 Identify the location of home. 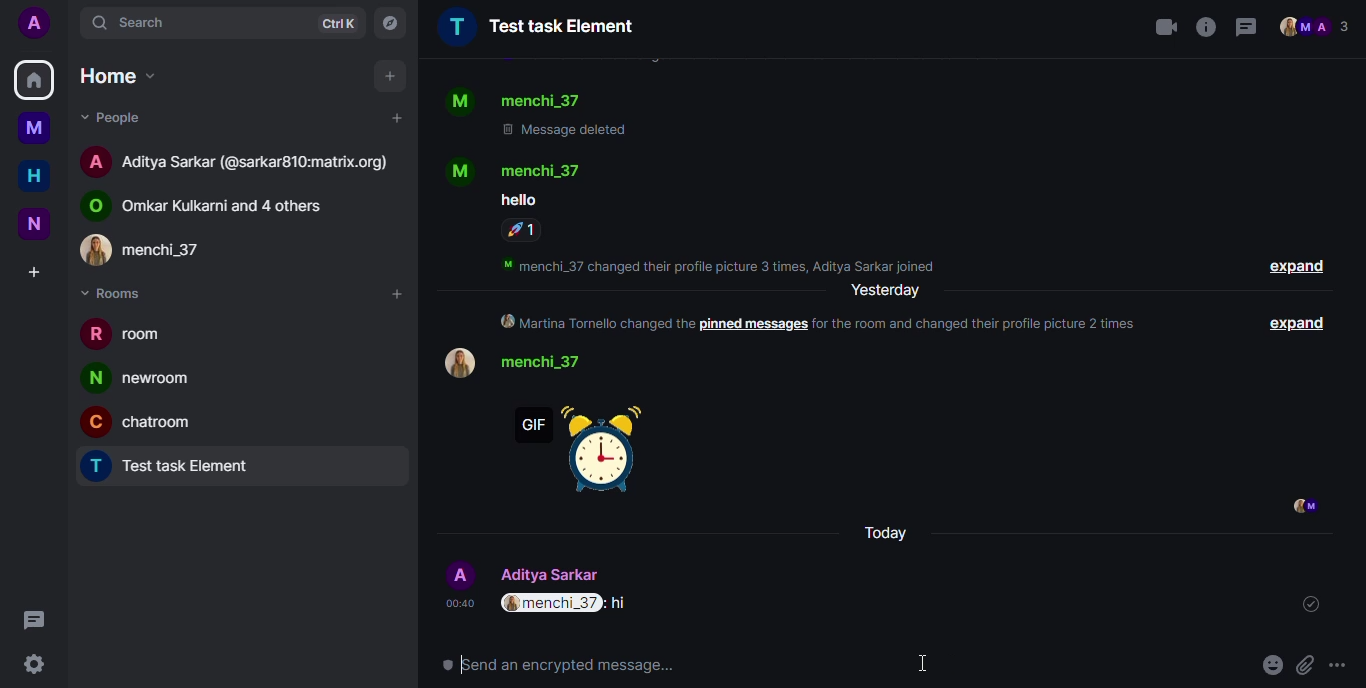
(34, 81).